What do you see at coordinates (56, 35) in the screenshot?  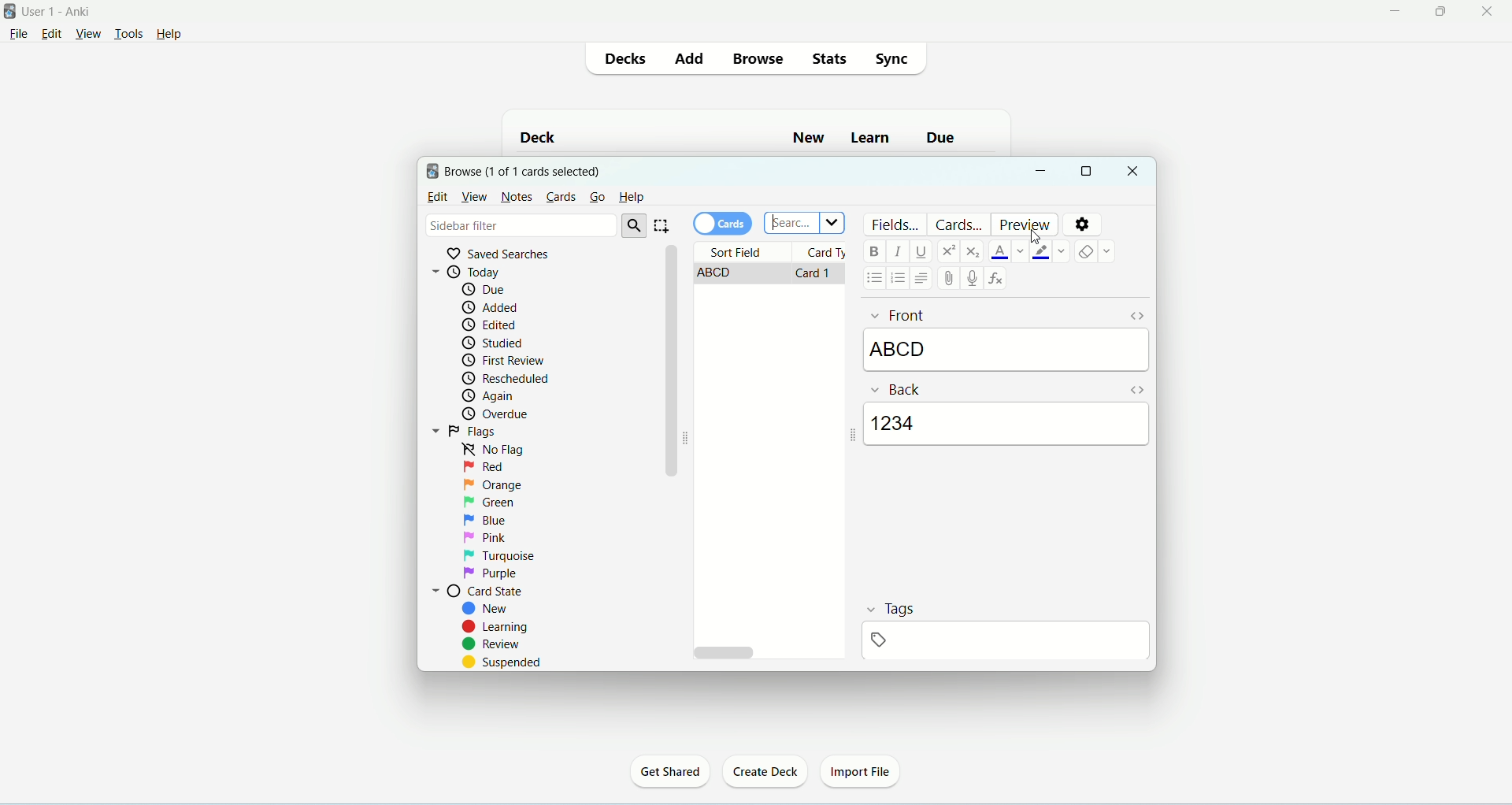 I see `edit` at bounding box center [56, 35].